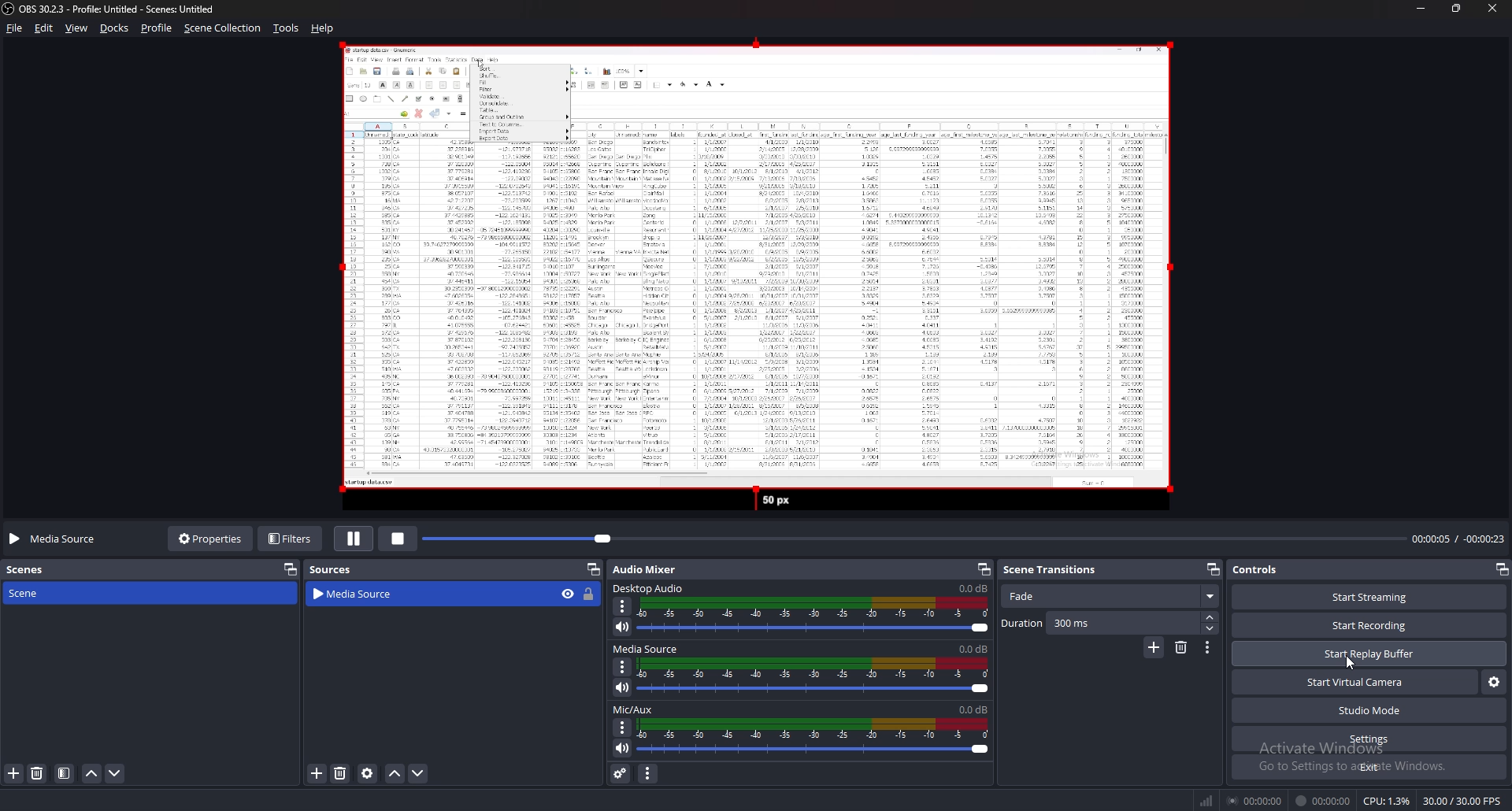 This screenshot has width=1512, height=811. I want to click on options, so click(624, 666).